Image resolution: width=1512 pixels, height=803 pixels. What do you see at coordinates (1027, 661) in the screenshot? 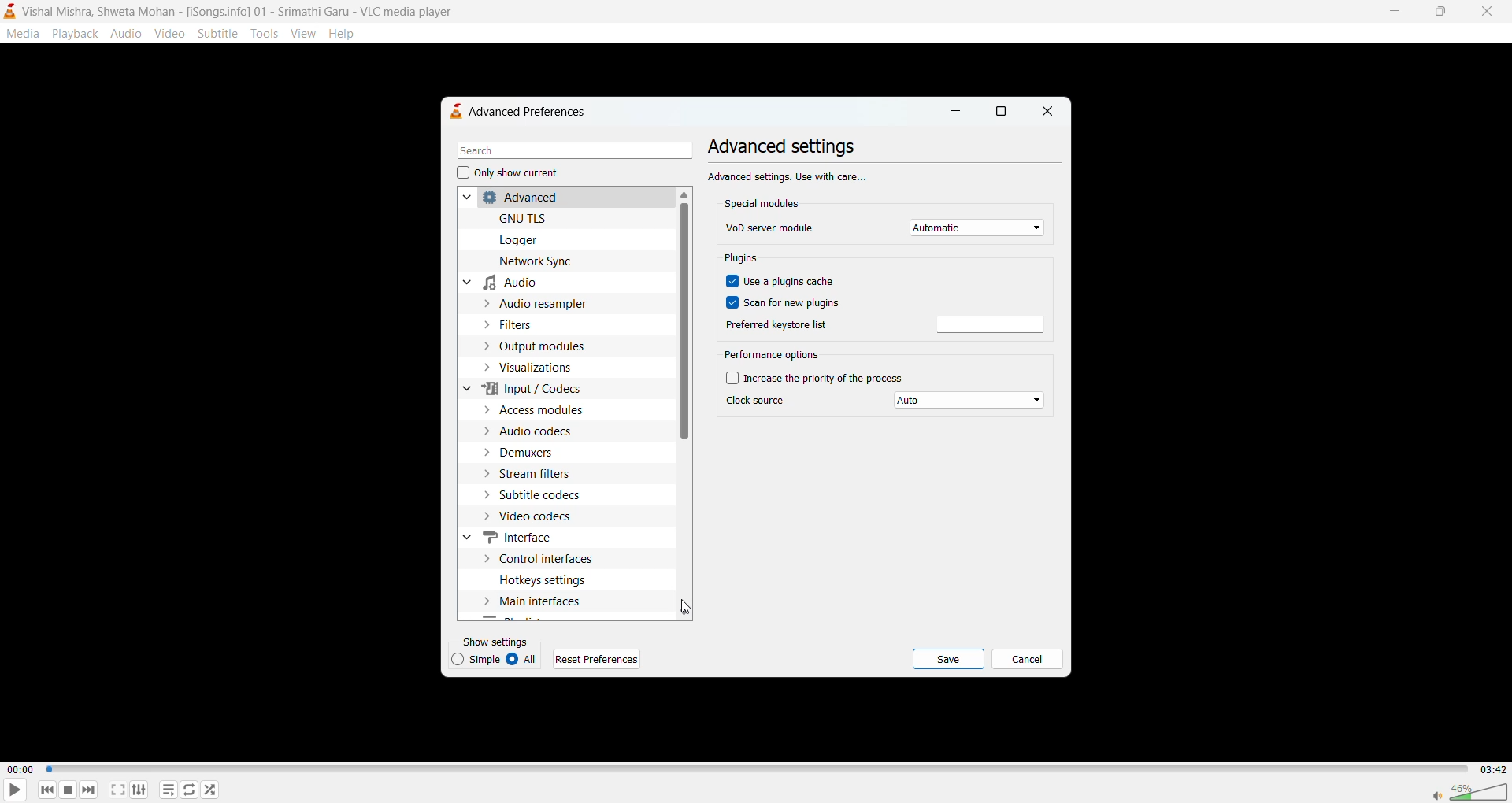
I see `cancel` at bounding box center [1027, 661].